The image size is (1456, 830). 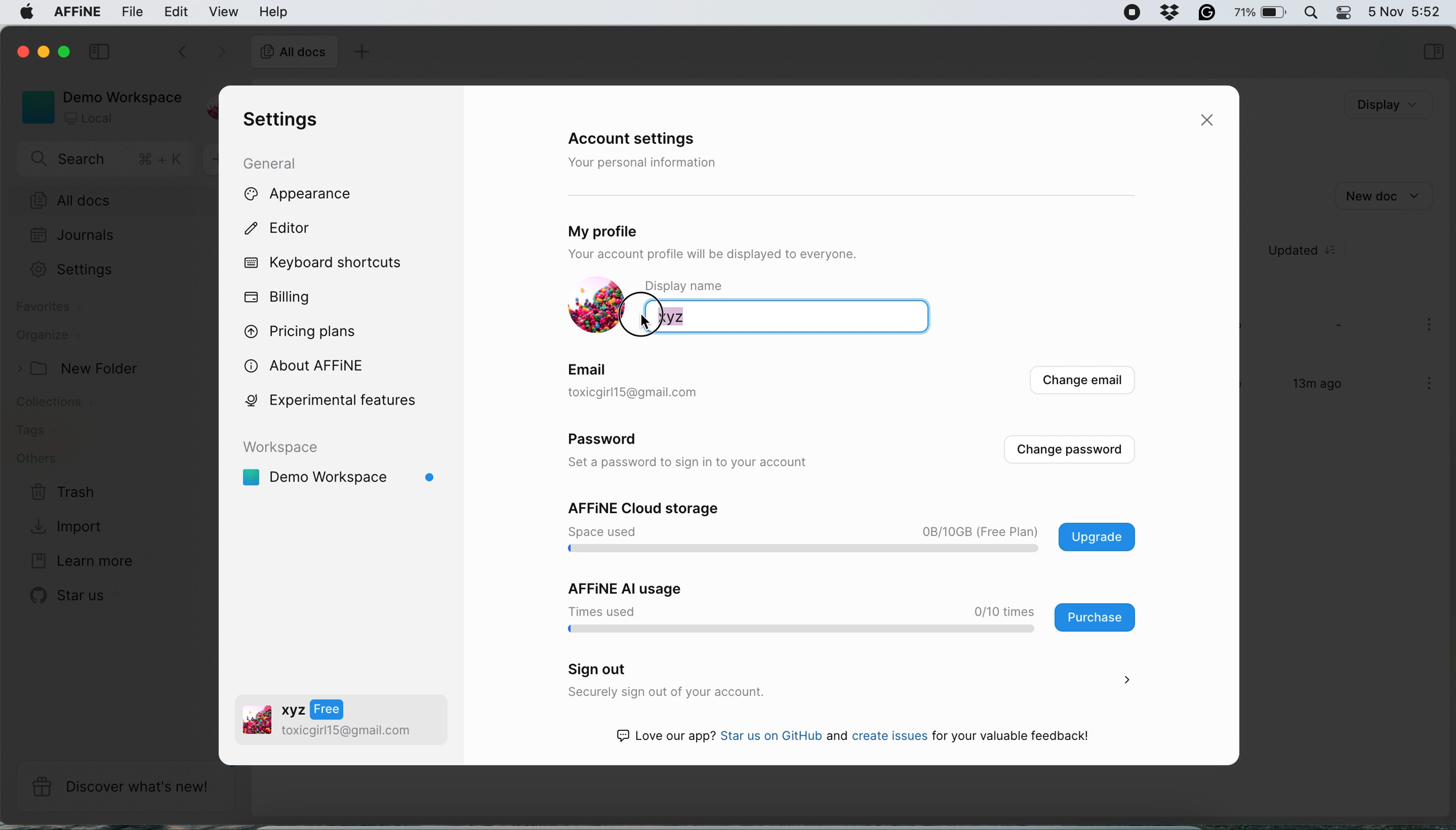 What do you see at coordinates (864, 738) in the screenshot?
I see `Love our app? Star us on GitHub and create issues for your valuable feedback!` at bounding box center [864, 738].